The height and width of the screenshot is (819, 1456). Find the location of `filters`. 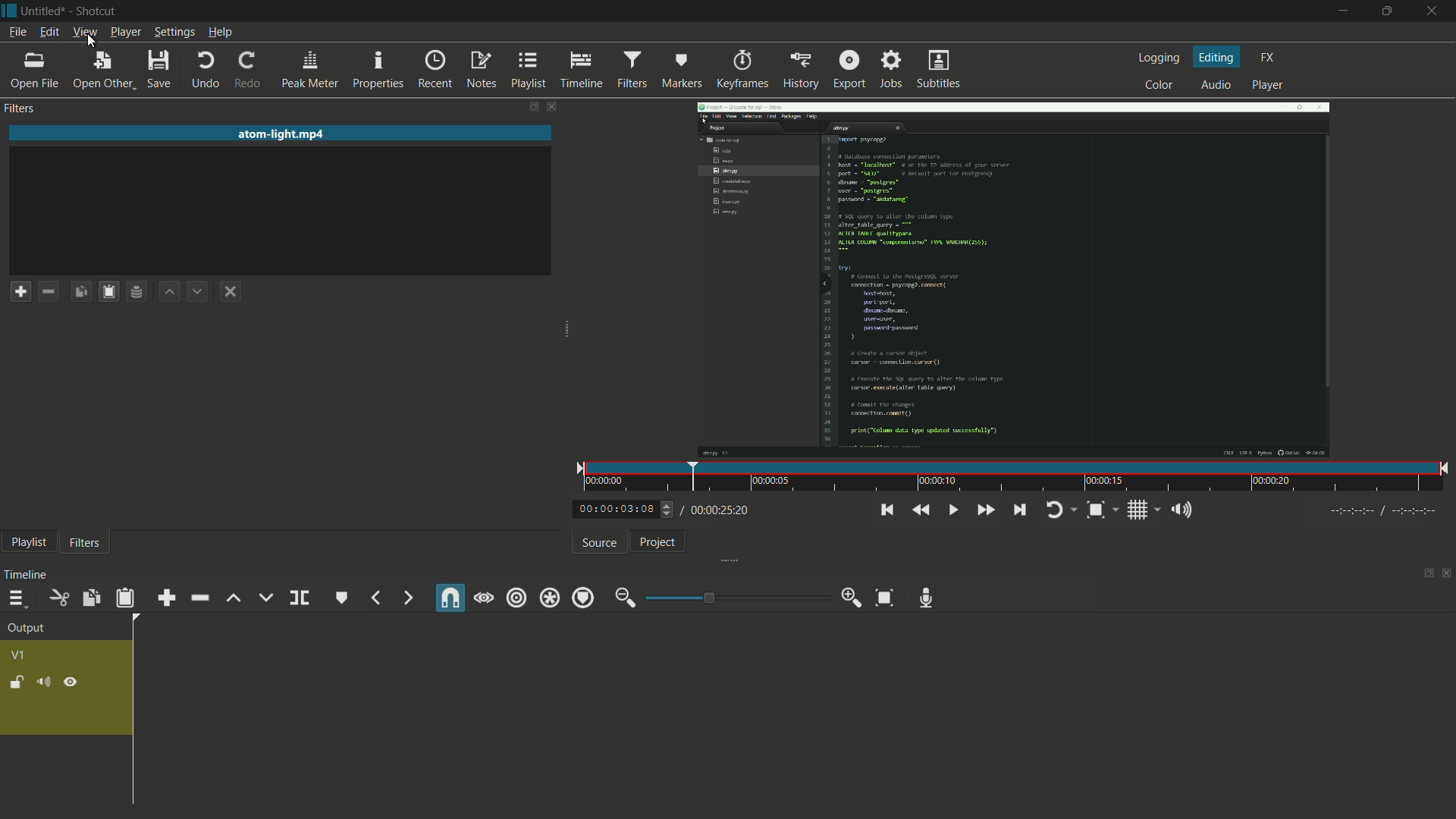

filters is located at coordinates (629, 67).